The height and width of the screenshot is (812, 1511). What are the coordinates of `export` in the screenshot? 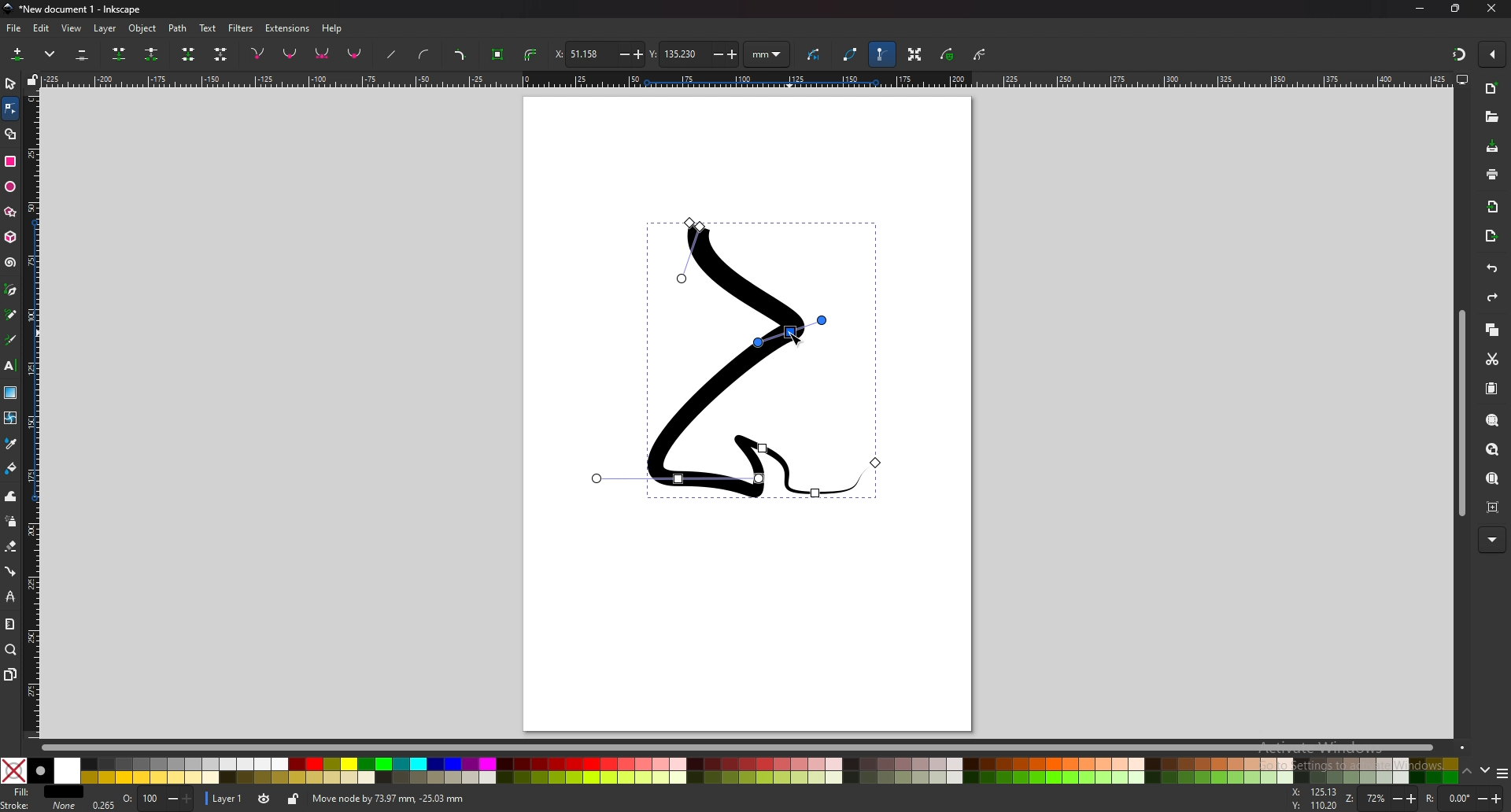 It's located at (1492, 235).